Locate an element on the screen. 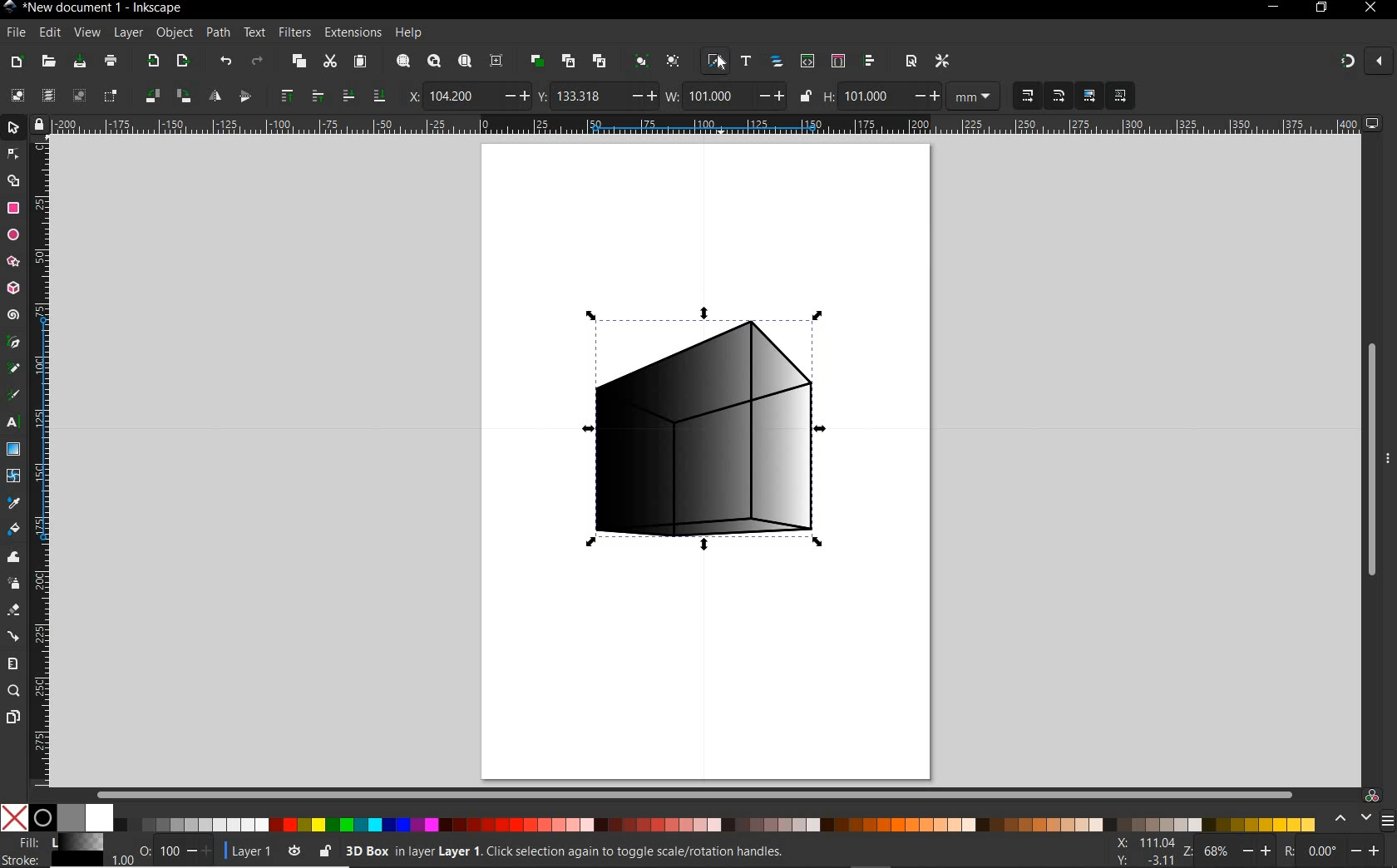 The image size is (1397, 868). FILTERS is located at coordinates (294, 33).